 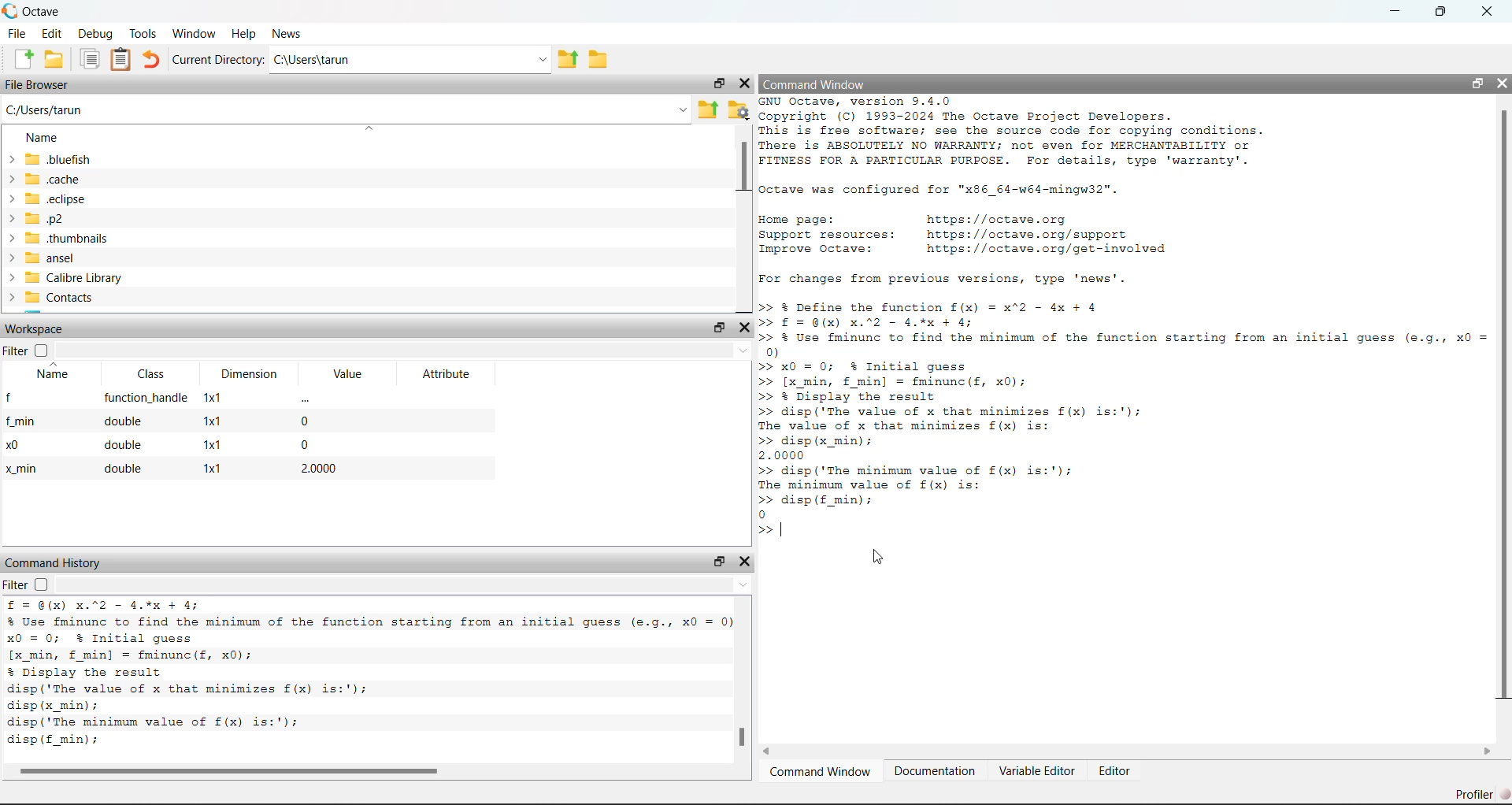 What do you see at coordinates (1477, 83) in the screenshot?
I see `Maximize/ Restore` at bounding box center [1477, 83].